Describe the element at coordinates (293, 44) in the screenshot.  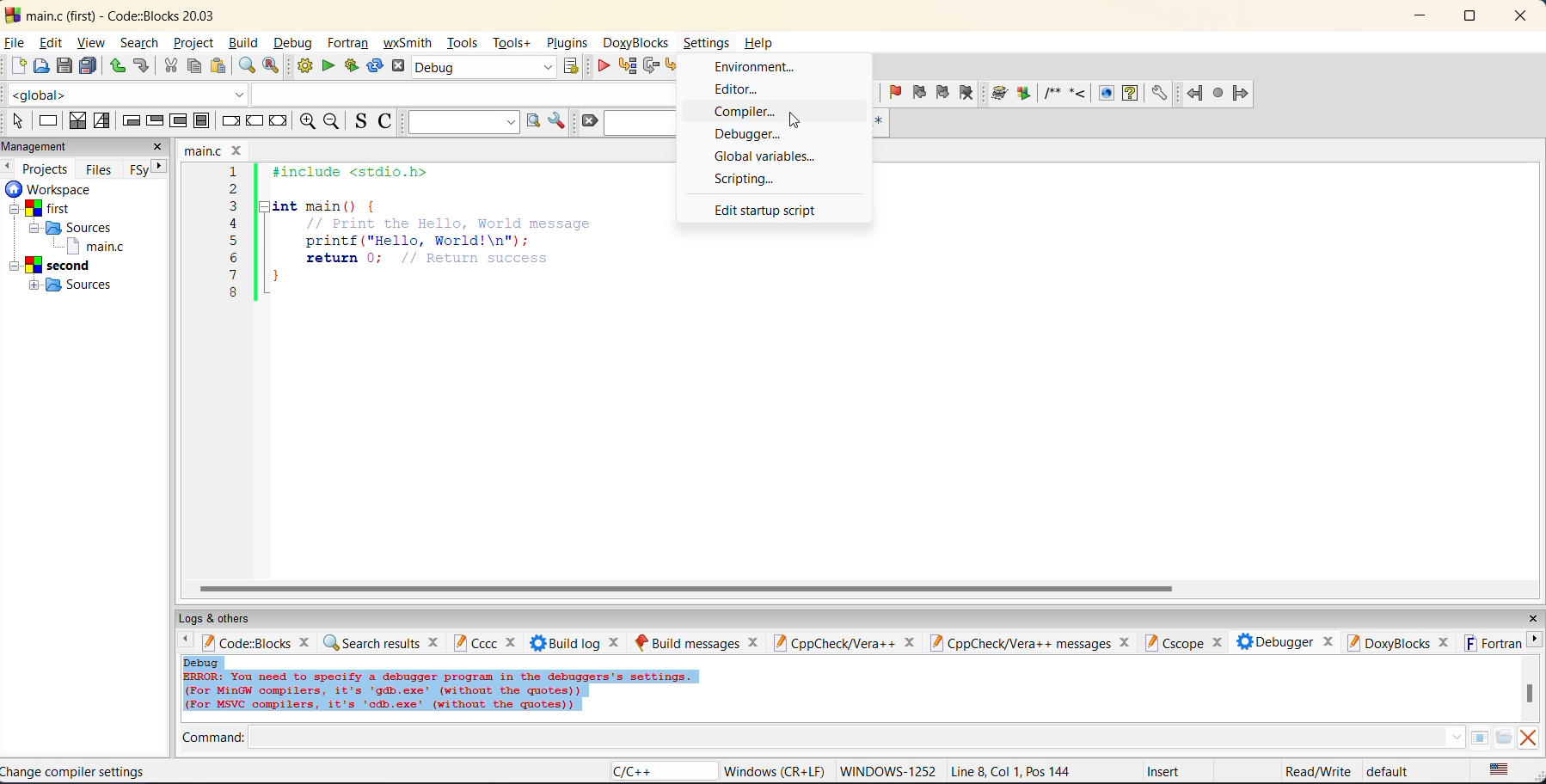
I see `debug` at that location.